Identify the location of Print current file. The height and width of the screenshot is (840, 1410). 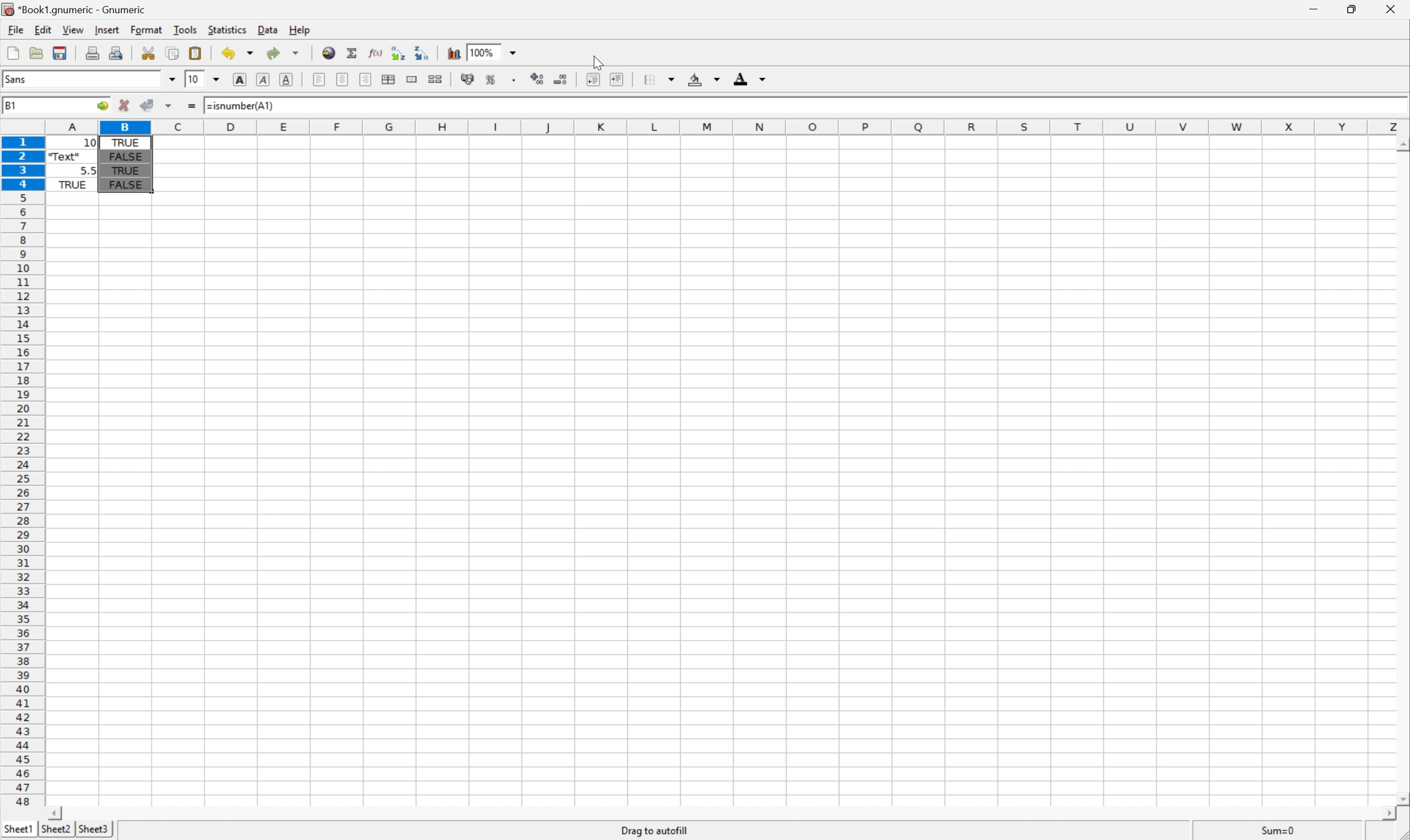
(93, 53).